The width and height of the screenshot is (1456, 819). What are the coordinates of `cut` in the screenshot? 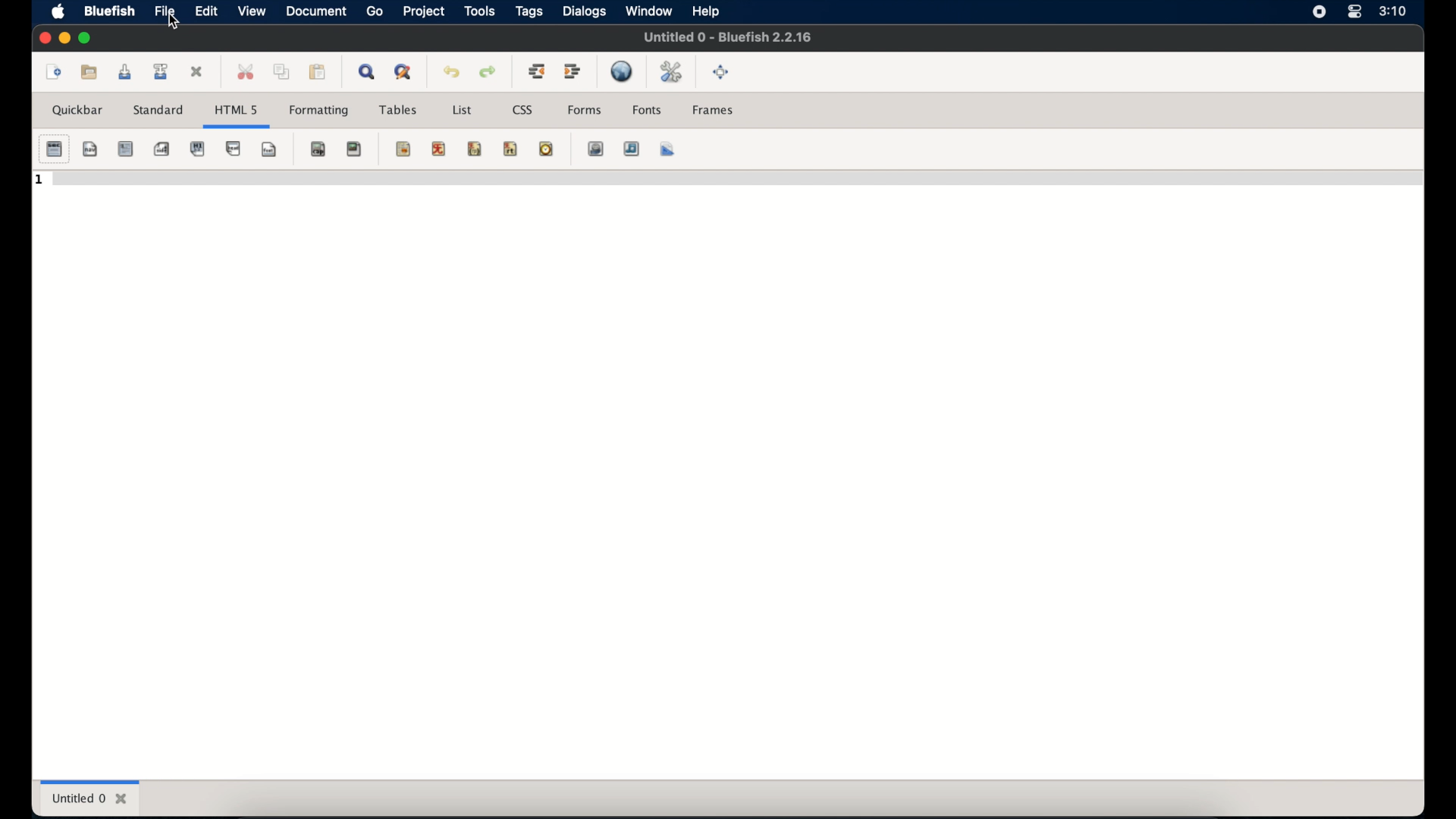 It's located at (246, 71).